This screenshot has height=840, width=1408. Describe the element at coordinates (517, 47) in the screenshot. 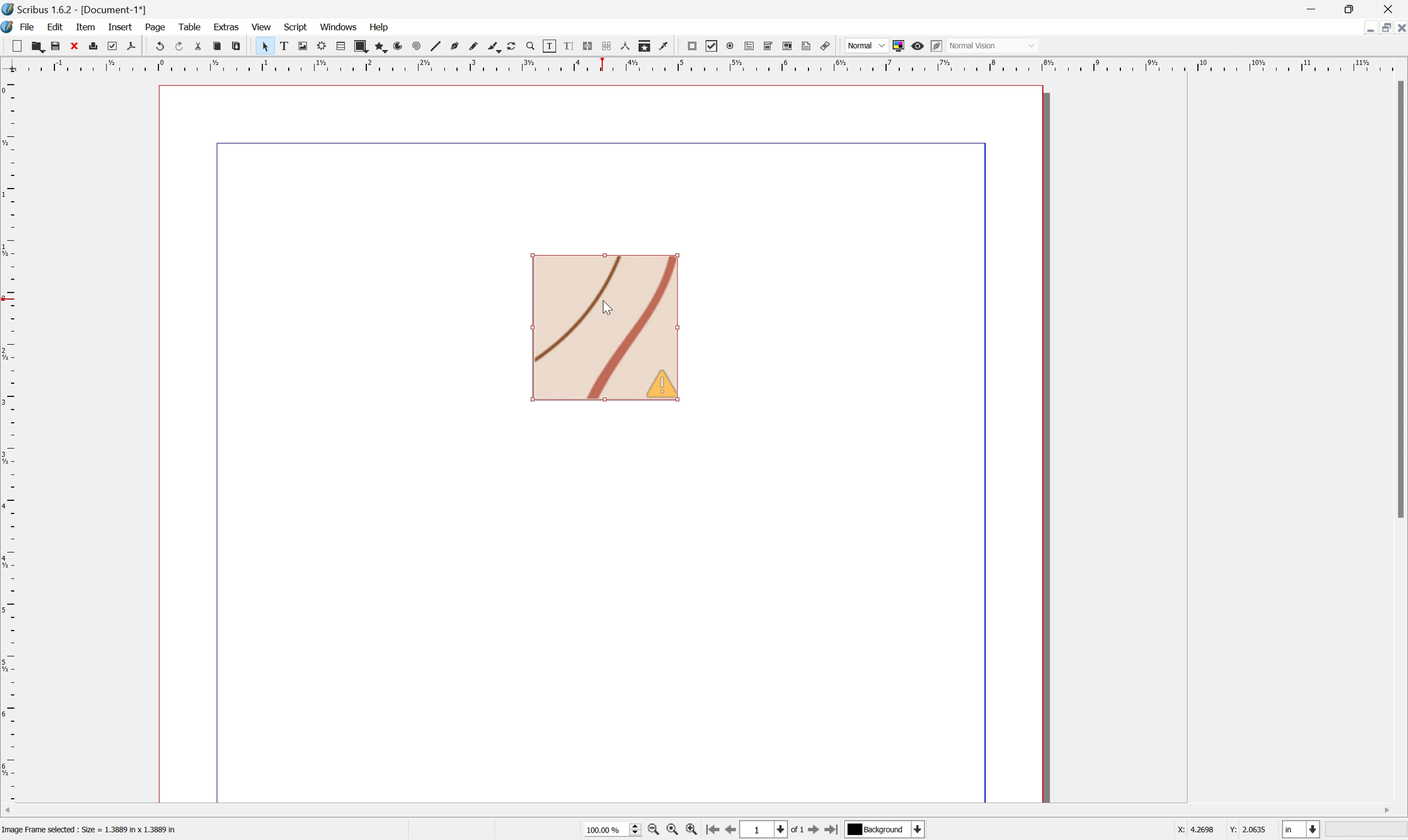

I see `Rotate item` at that location.